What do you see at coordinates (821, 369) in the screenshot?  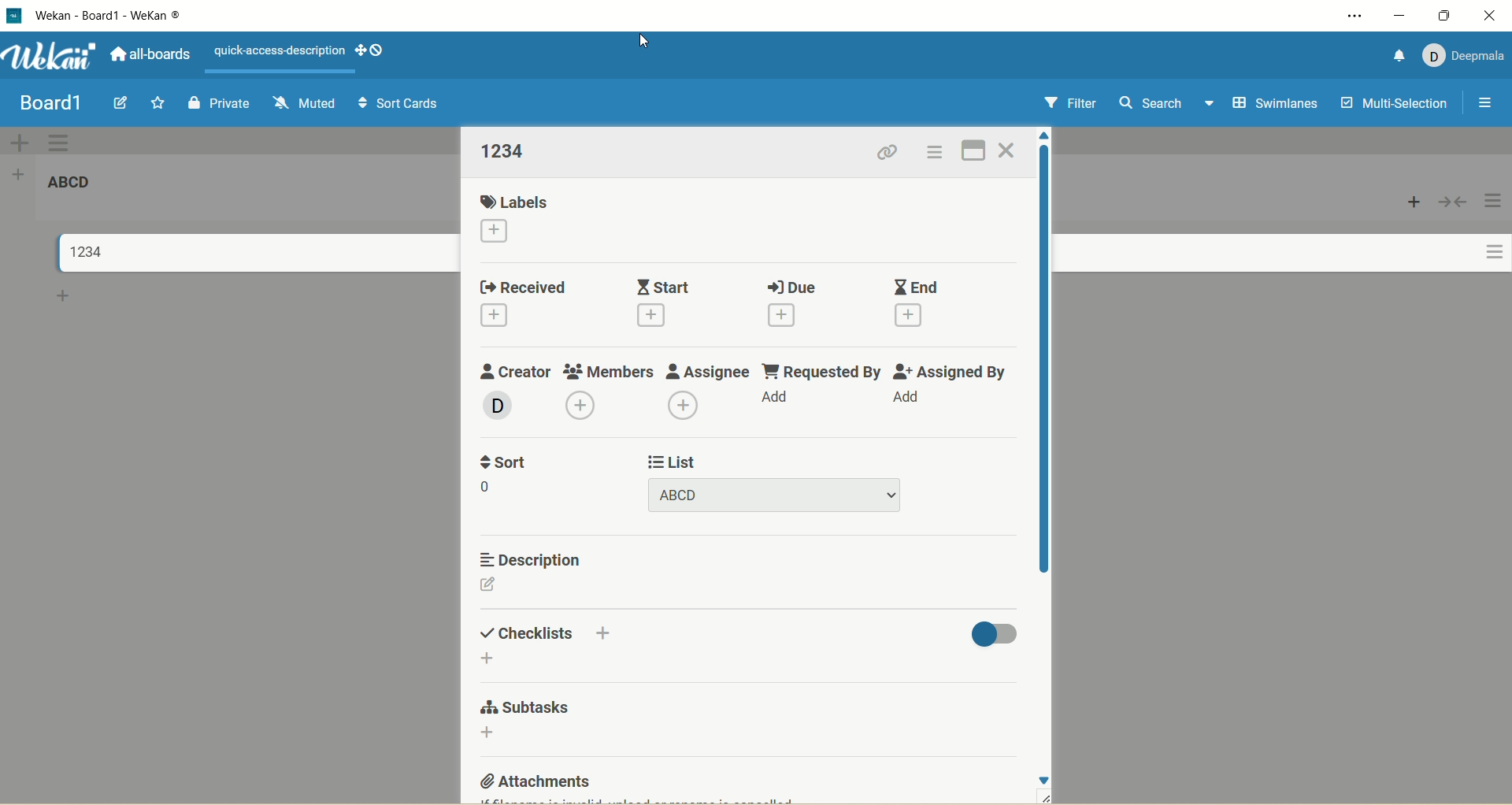 I see `requested by` at bounding box center [821, 369].